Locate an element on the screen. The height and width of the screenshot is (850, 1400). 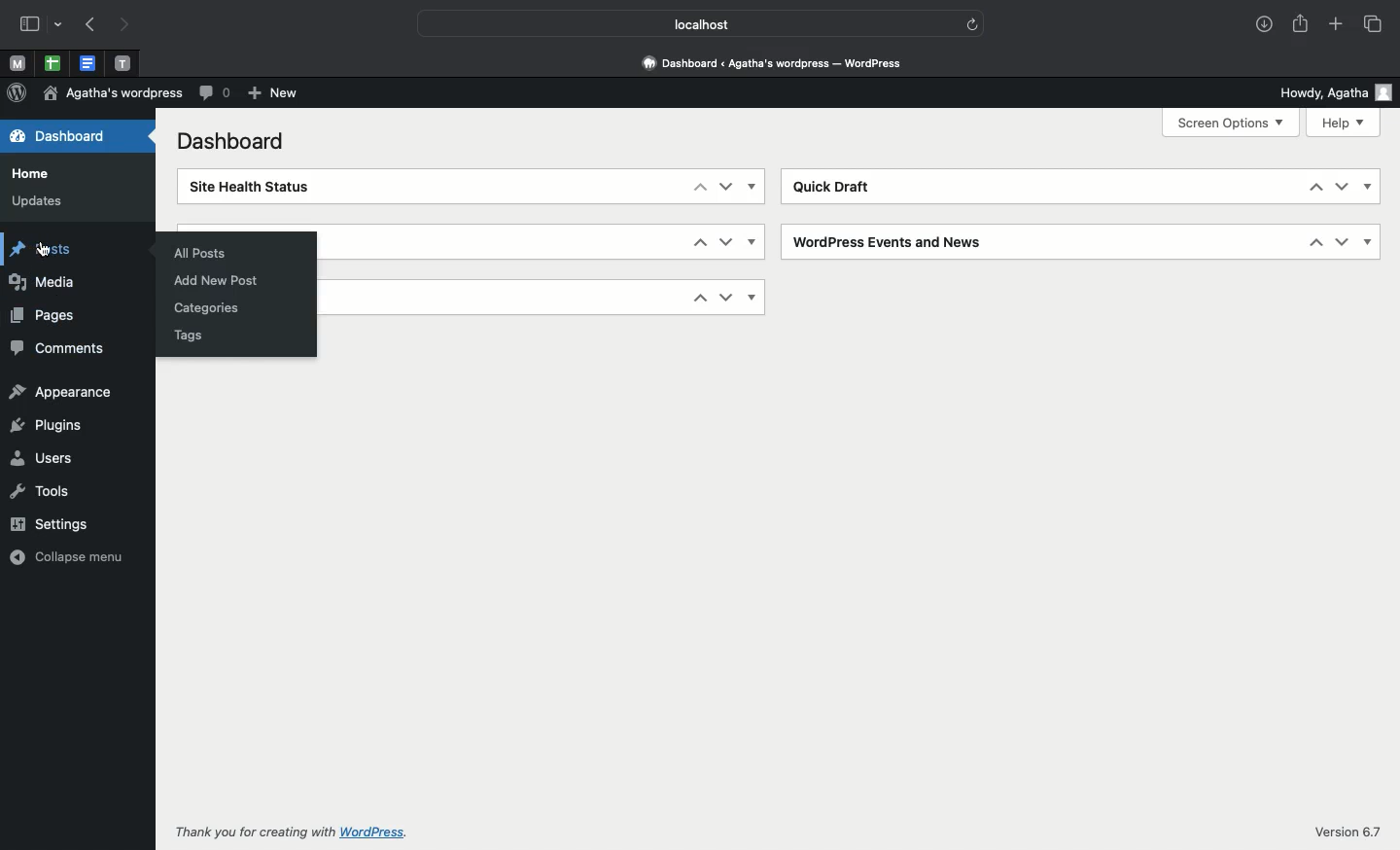
Up is located at coordinates (699, 240).